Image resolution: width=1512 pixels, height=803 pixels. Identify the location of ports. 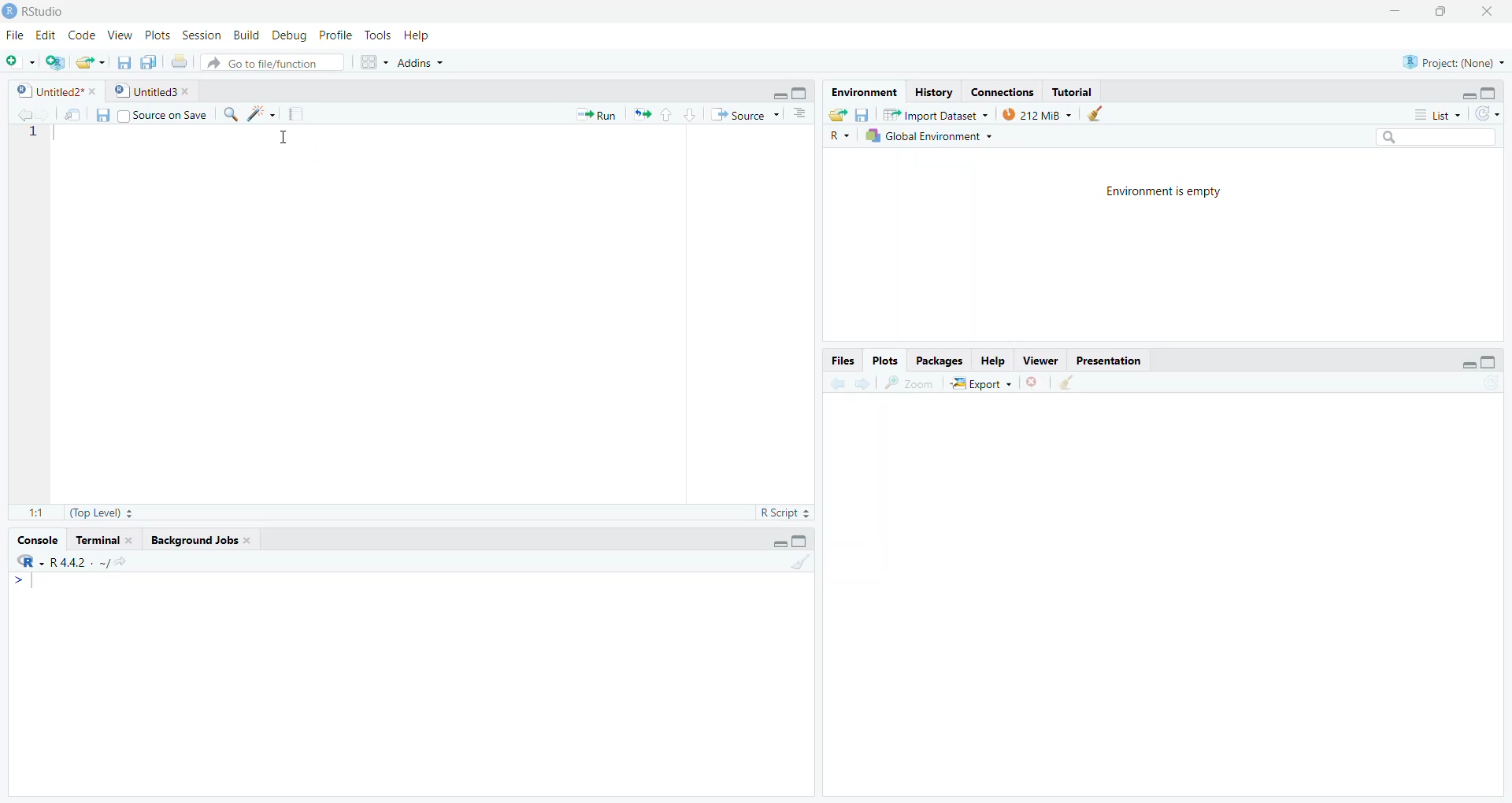
(159, 35).